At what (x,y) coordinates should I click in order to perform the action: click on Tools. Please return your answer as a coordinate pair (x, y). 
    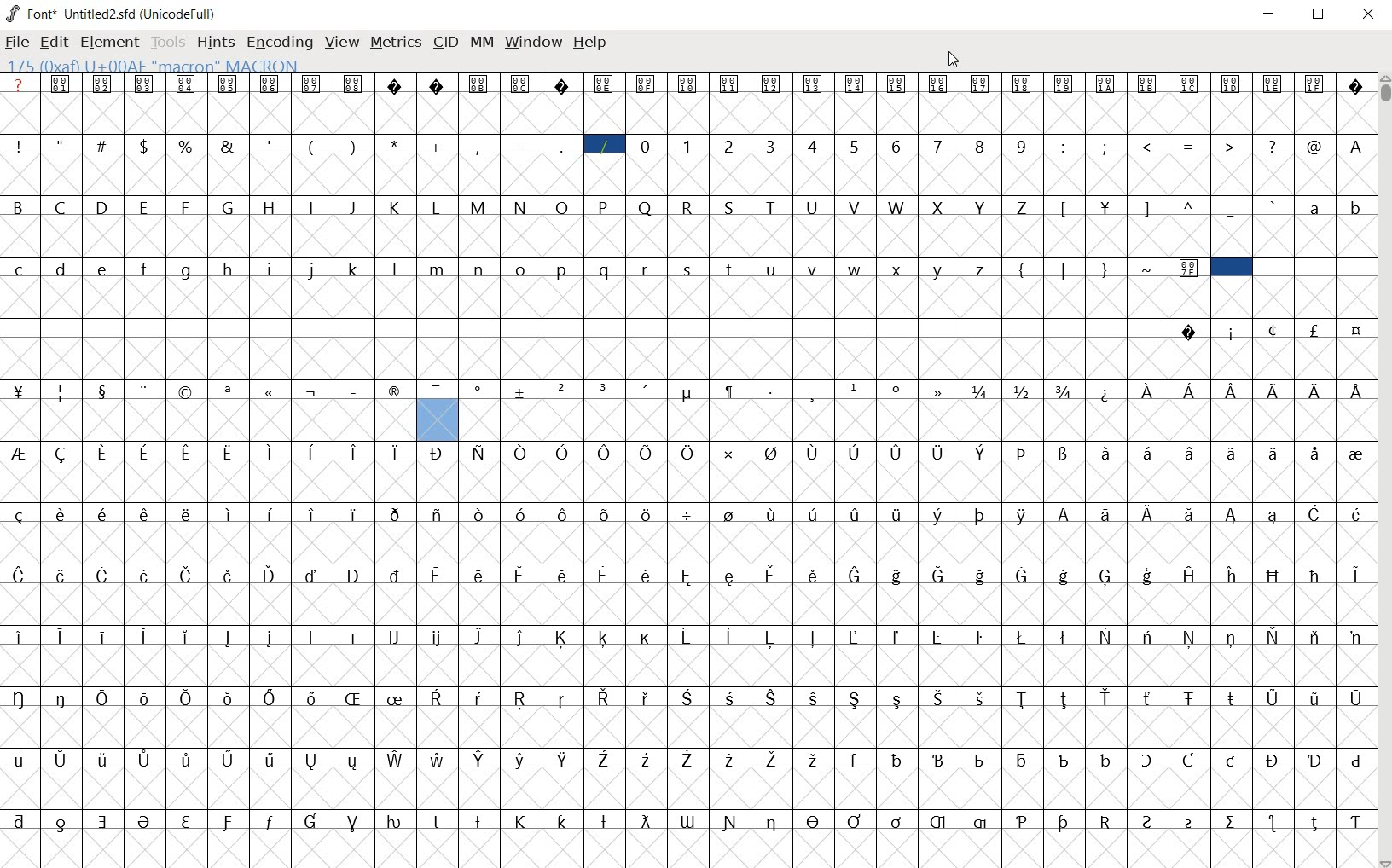
    Looking at the image, I should click on (168, 42).